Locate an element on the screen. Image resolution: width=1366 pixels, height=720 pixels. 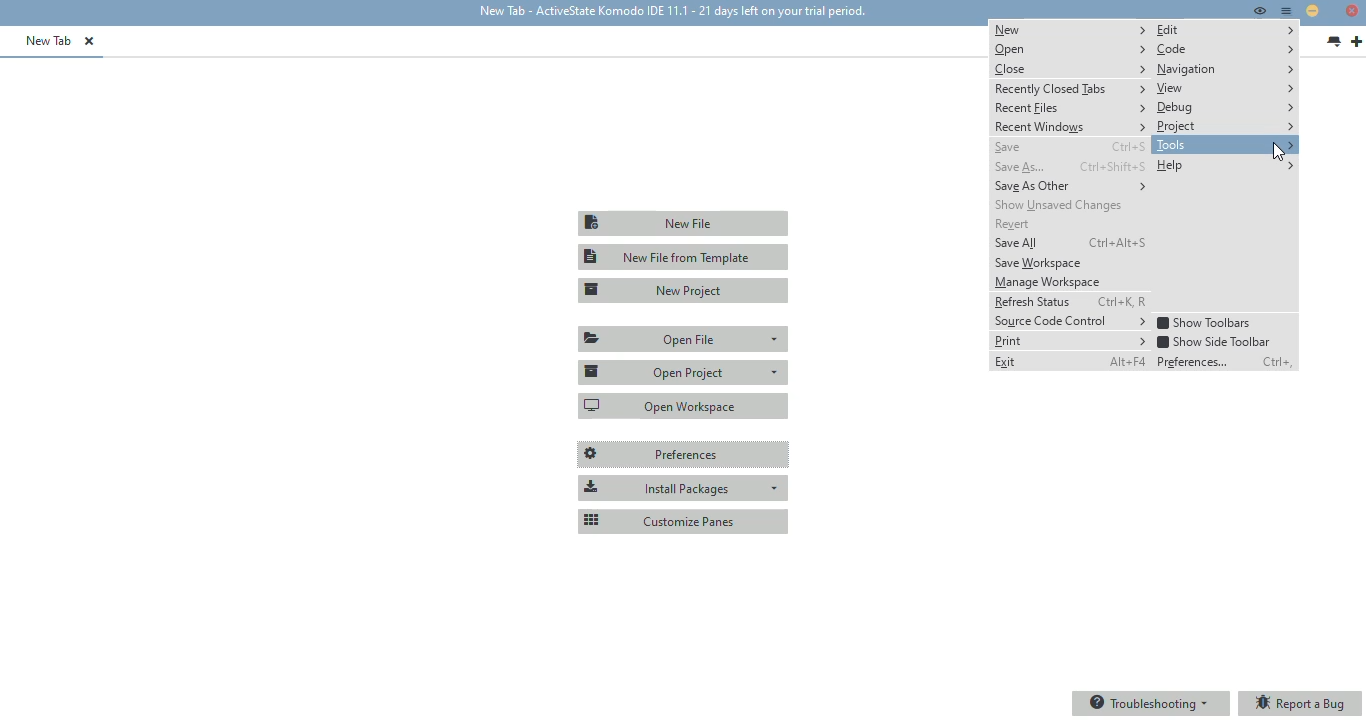
save workspace is located at coordinates (1039, 264).